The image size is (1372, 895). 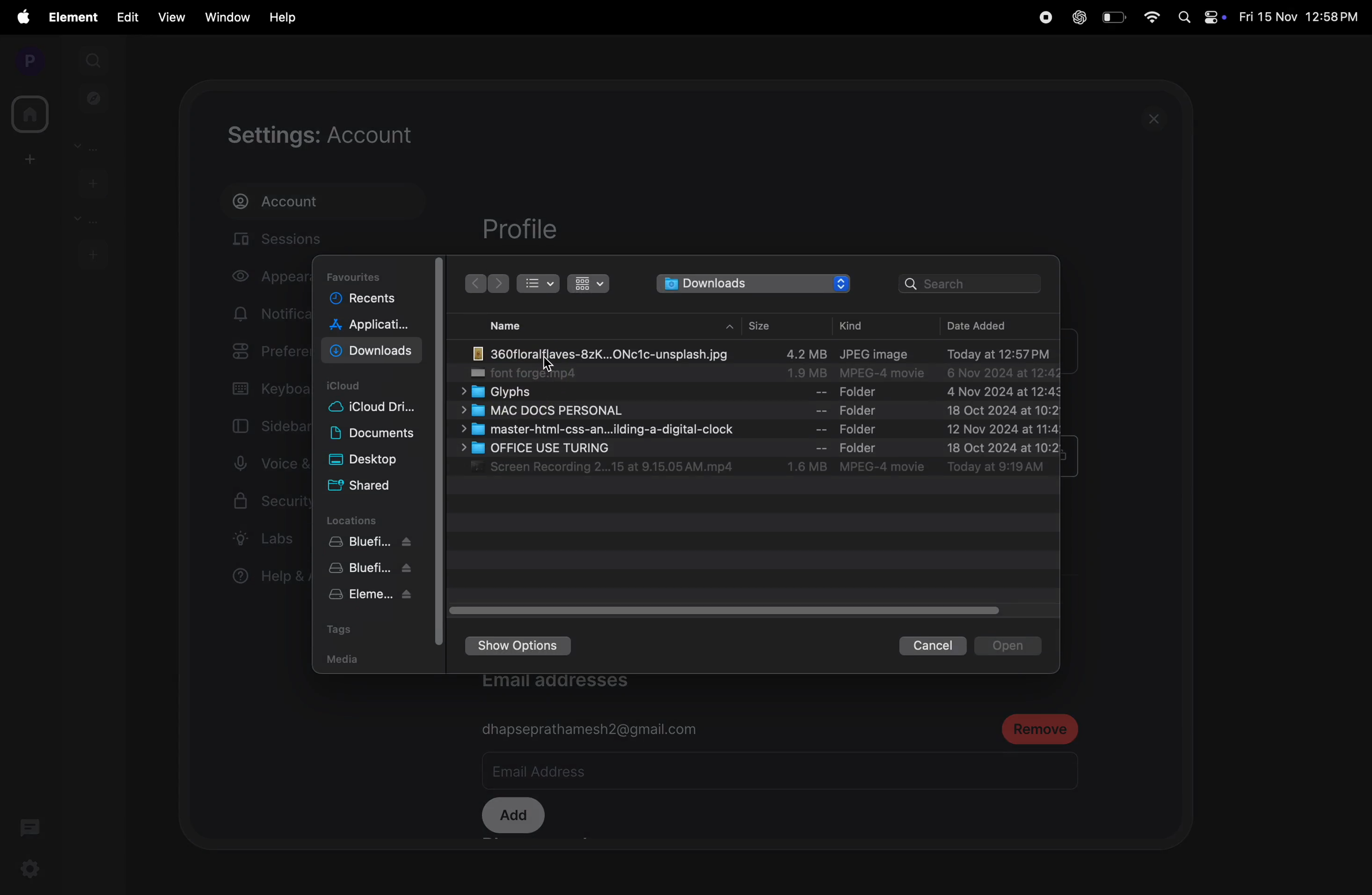 I want to click on profile, so click(x=519, y=229).